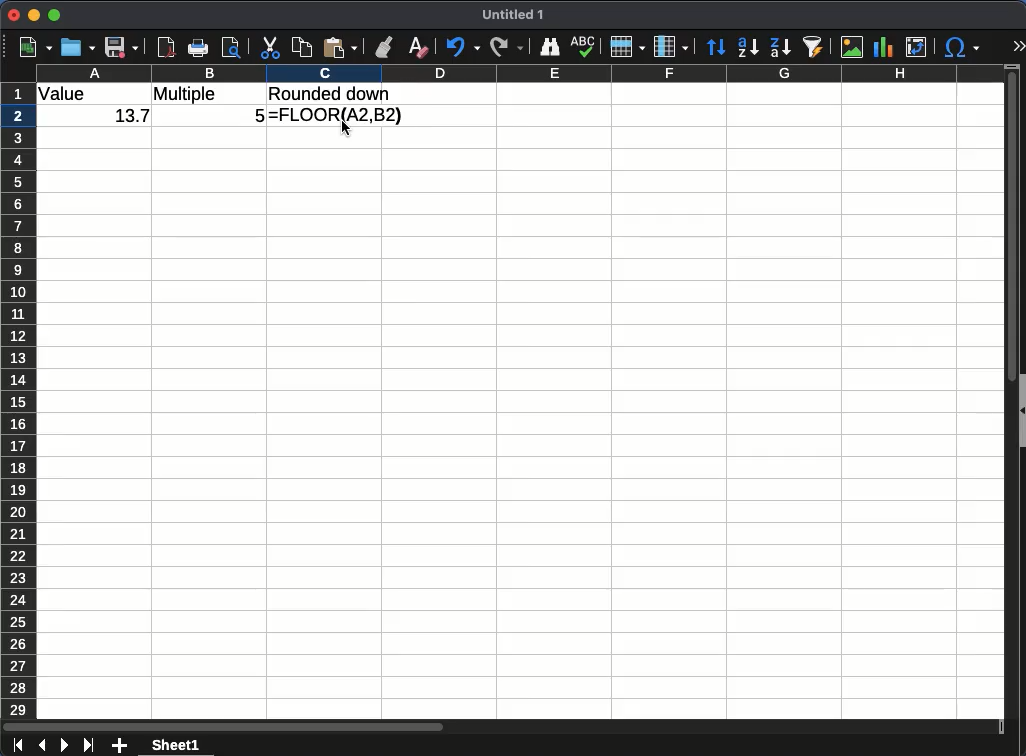 The width and height of the screenshot is (1026, 756). I want to click on sheet 1, so click(174, 746).